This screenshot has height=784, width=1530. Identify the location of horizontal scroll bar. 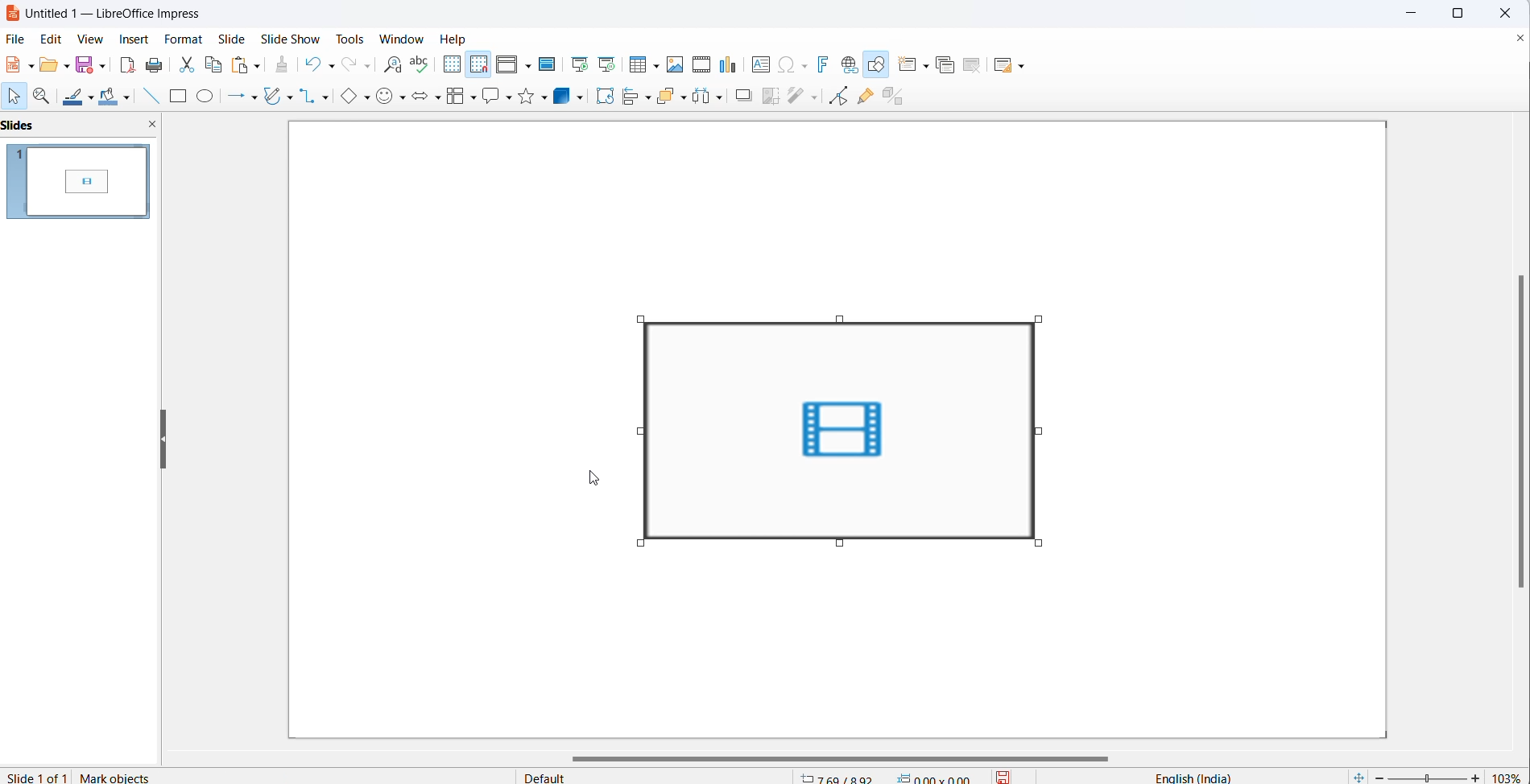
(838, 756).